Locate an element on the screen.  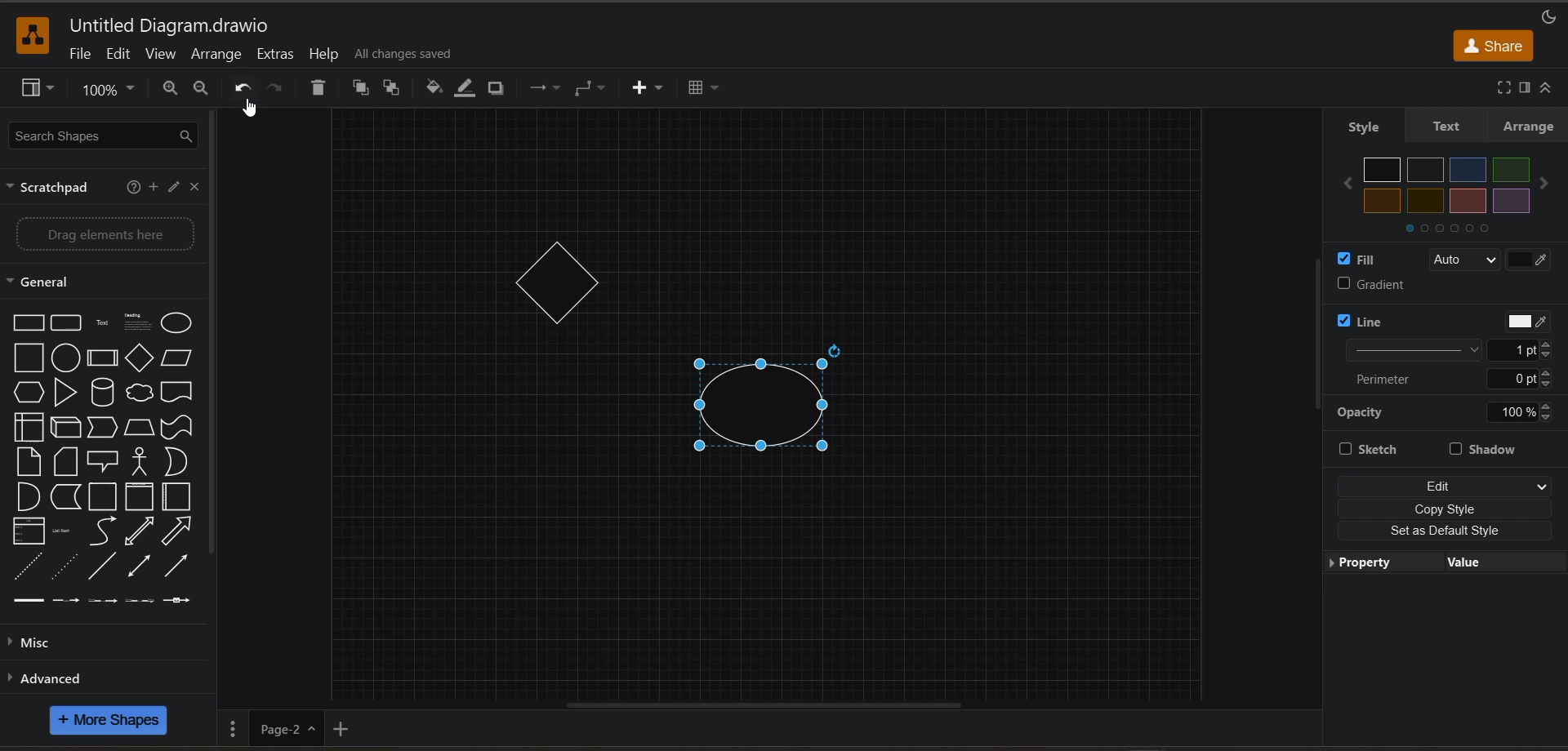
advanced is located at coordinates (50, 680).